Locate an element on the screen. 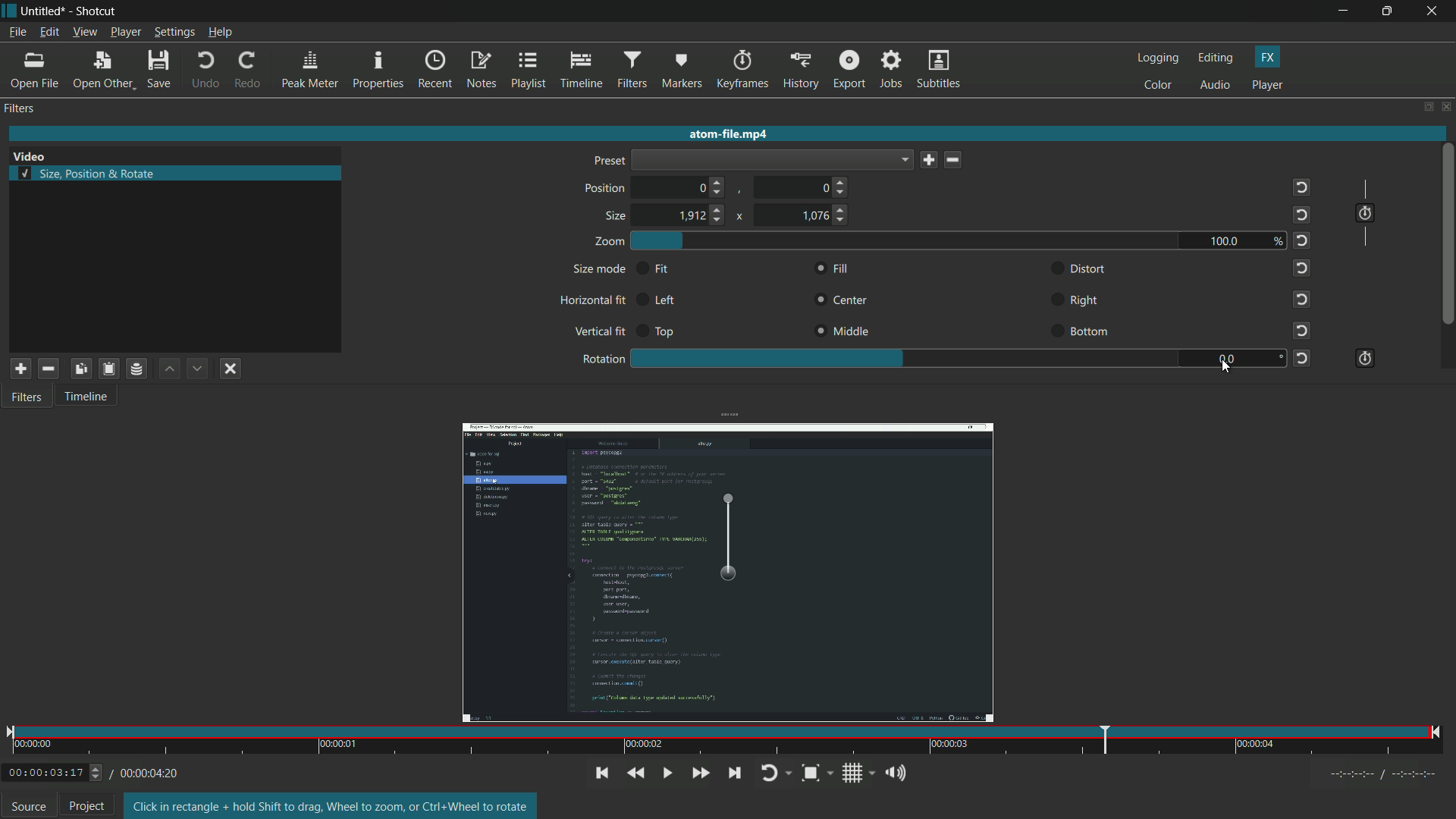 The image size is (1456, 819). center is located at coordinates (844, 301).